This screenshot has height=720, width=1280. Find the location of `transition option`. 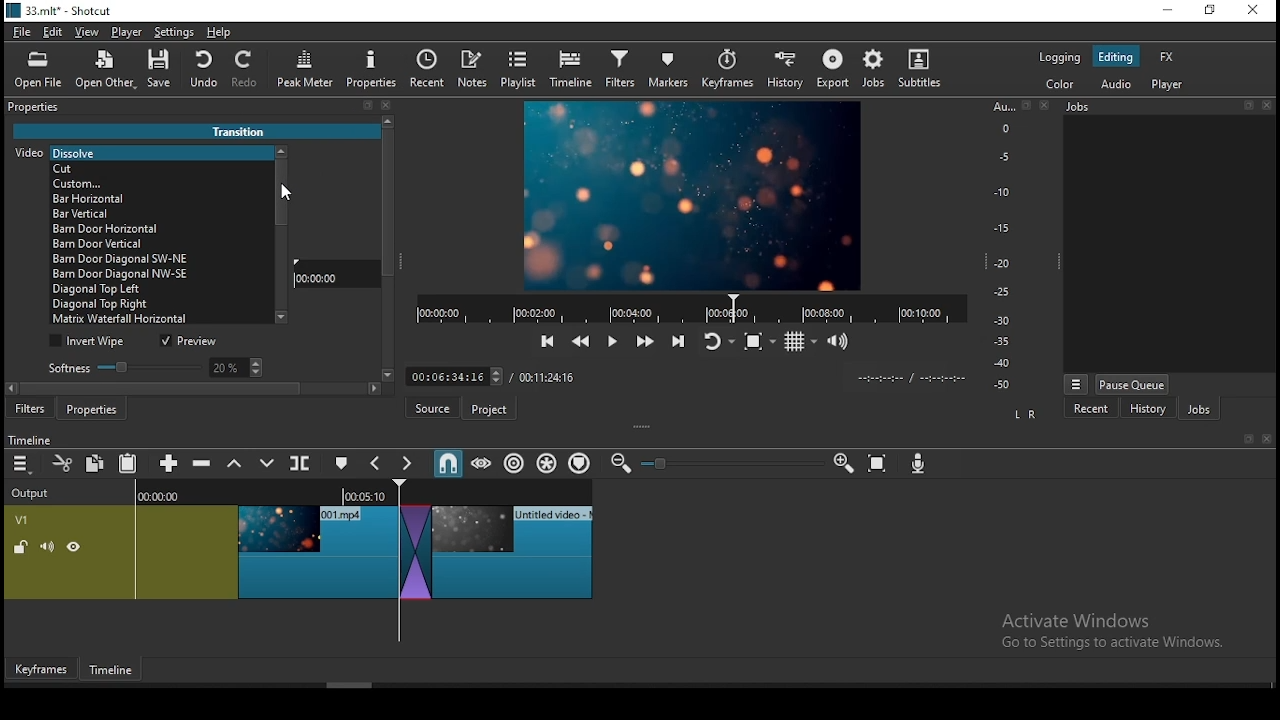

transition option is located at coordinates (162, 290).